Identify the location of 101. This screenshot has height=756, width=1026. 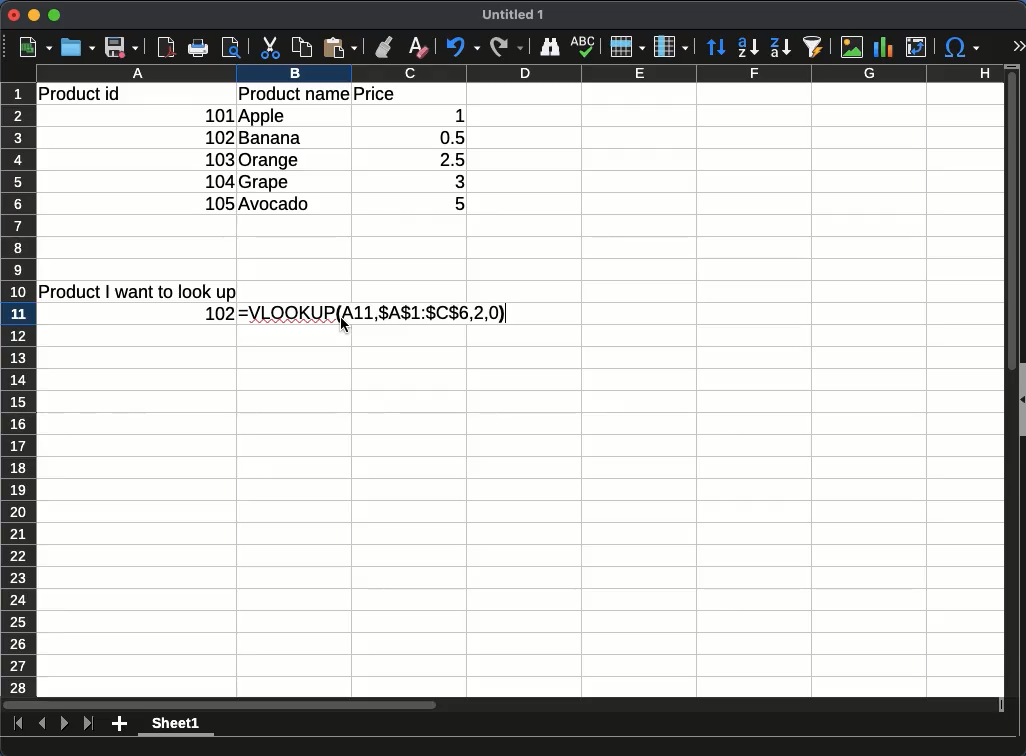
(217, 116).